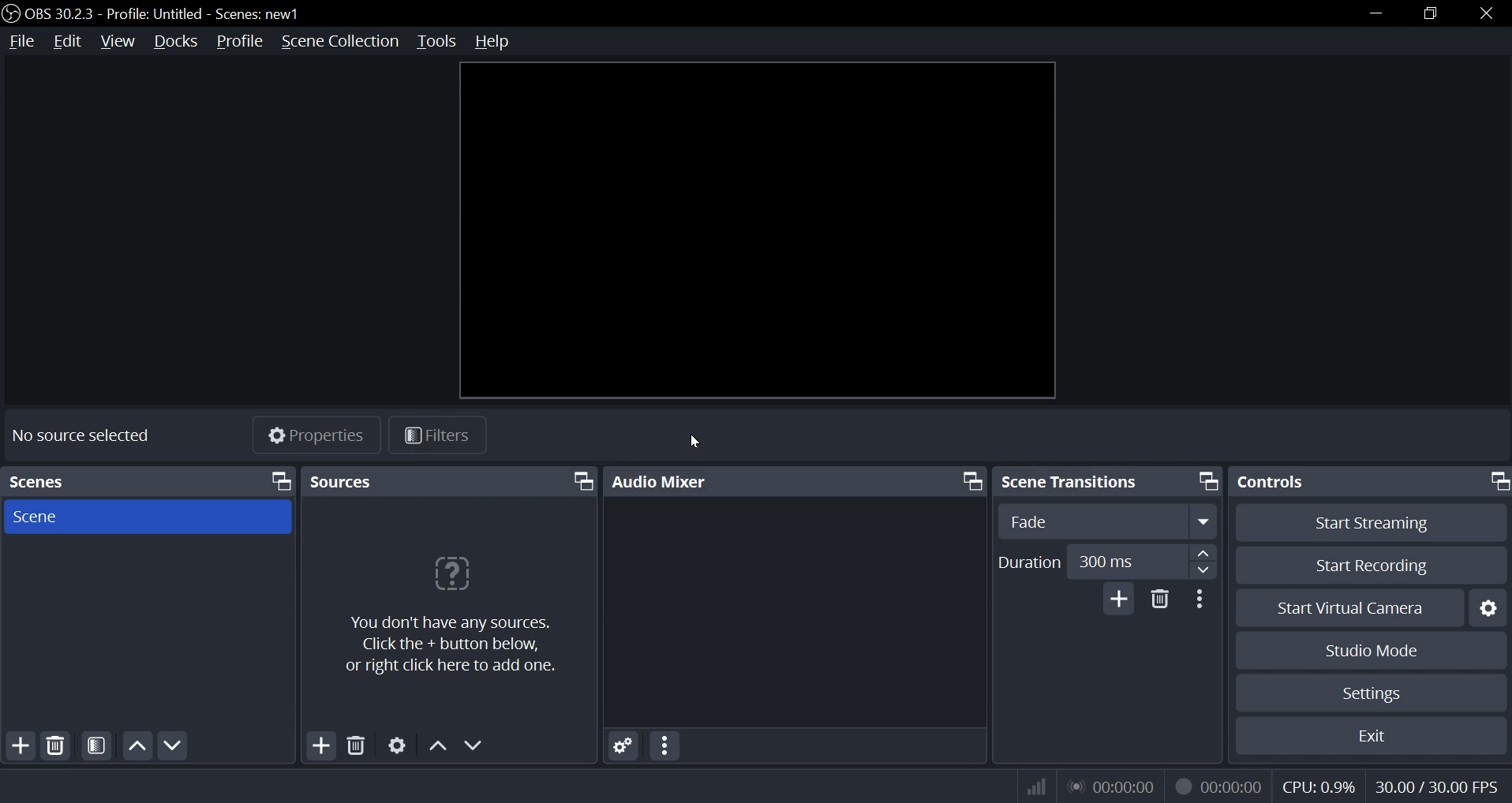  Describe the element at coordinates (1350, 607) in the screenshot. I see `start virtual camera` at that location.